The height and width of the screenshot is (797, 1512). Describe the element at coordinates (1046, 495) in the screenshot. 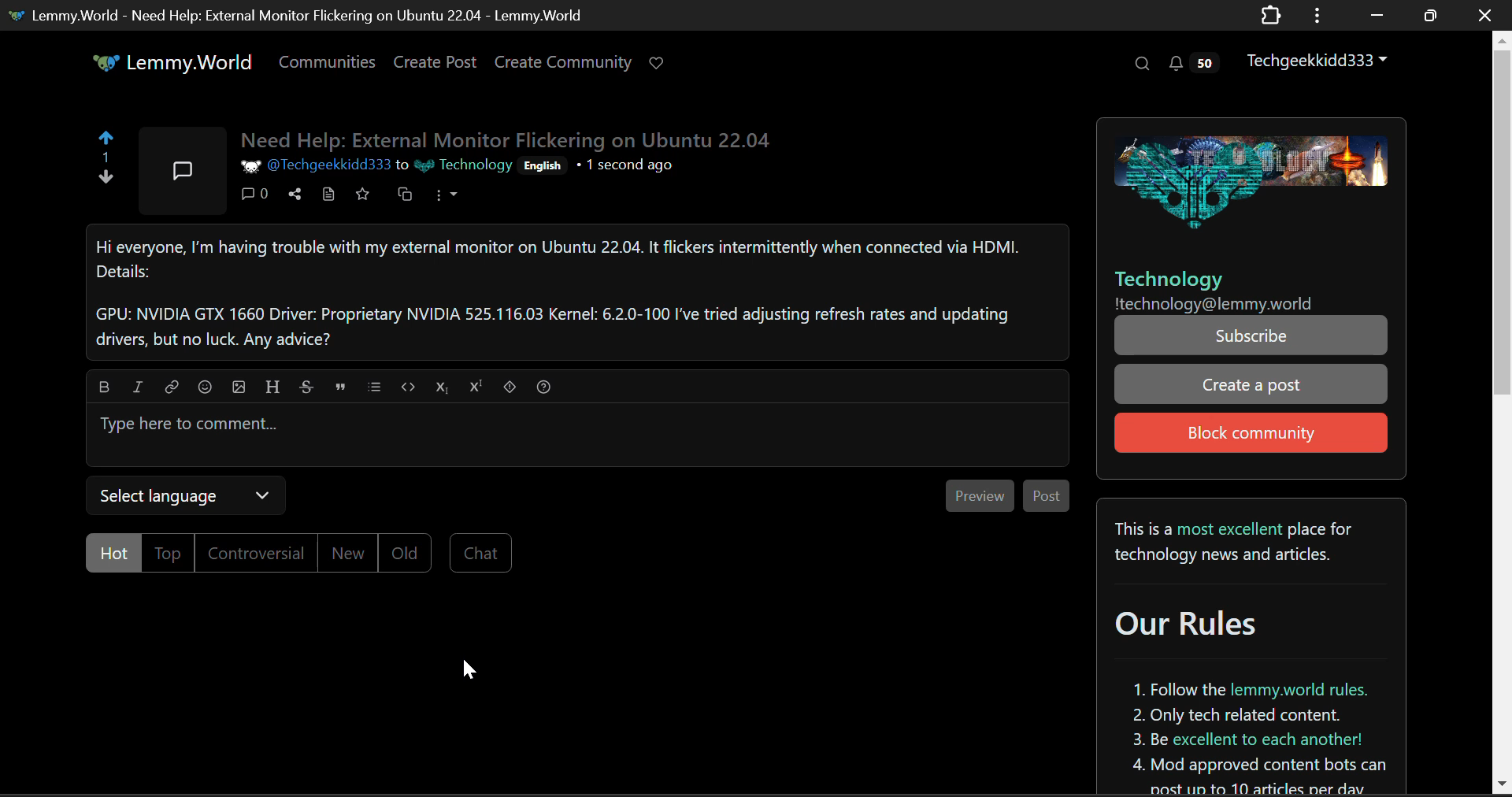

I see `Post` at that location.